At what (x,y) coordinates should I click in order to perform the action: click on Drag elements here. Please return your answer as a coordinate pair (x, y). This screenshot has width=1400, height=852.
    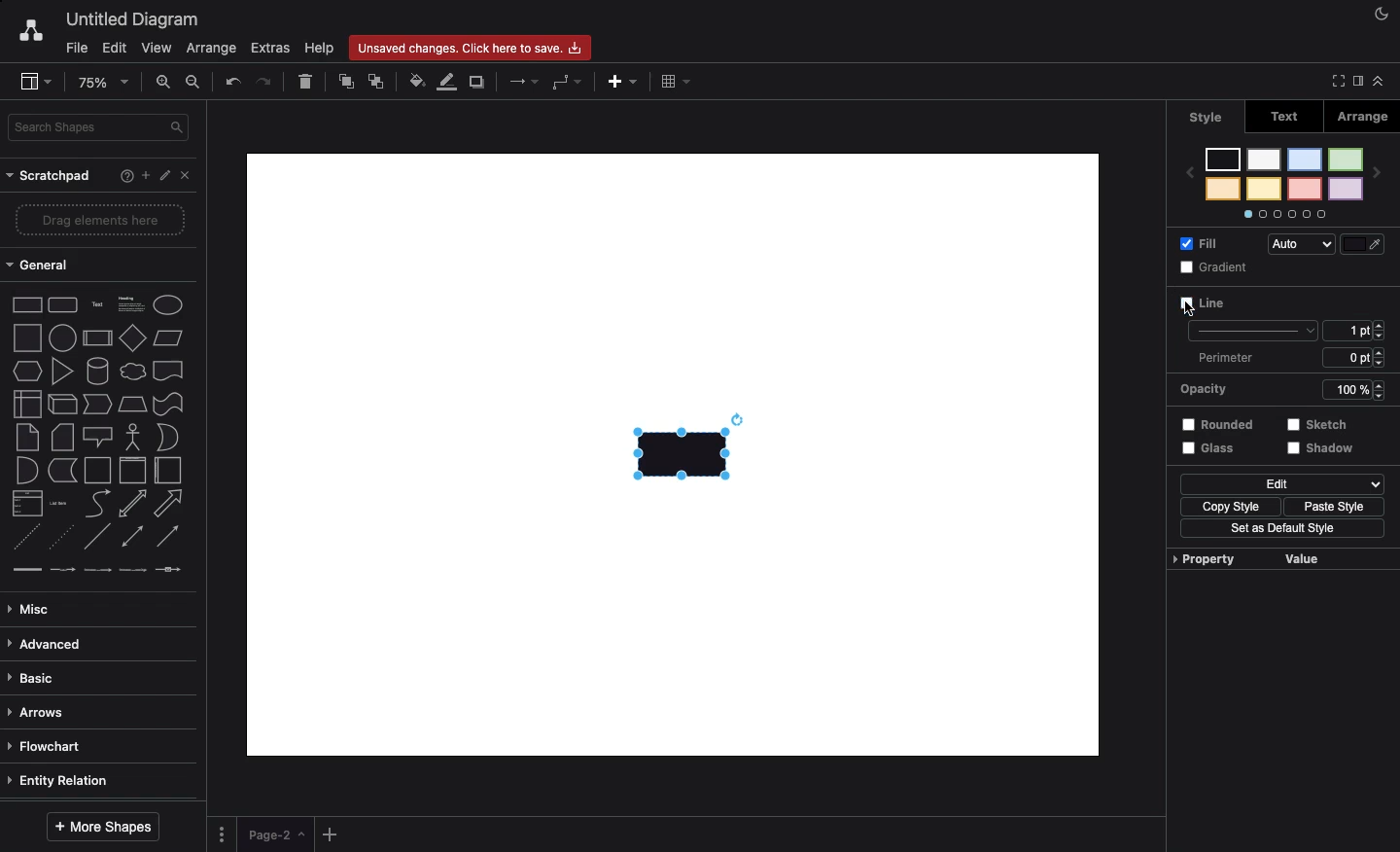
    Looking at the image, I should click on (103, 219).